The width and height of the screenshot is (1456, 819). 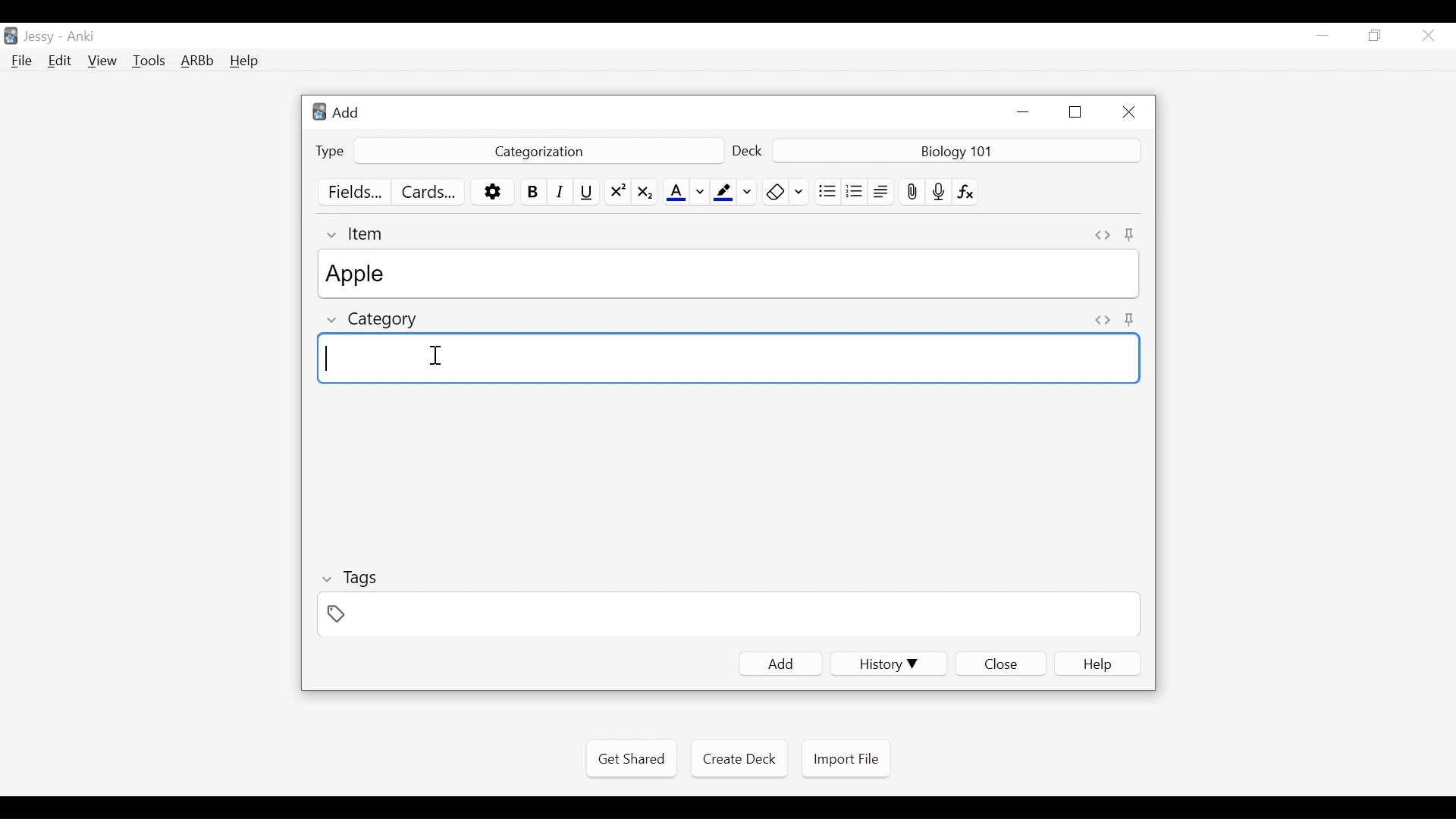 What do you see at coordinates (354, 191) in the screenshot?
I see `Customize Field` at bounding box center [354, 191].